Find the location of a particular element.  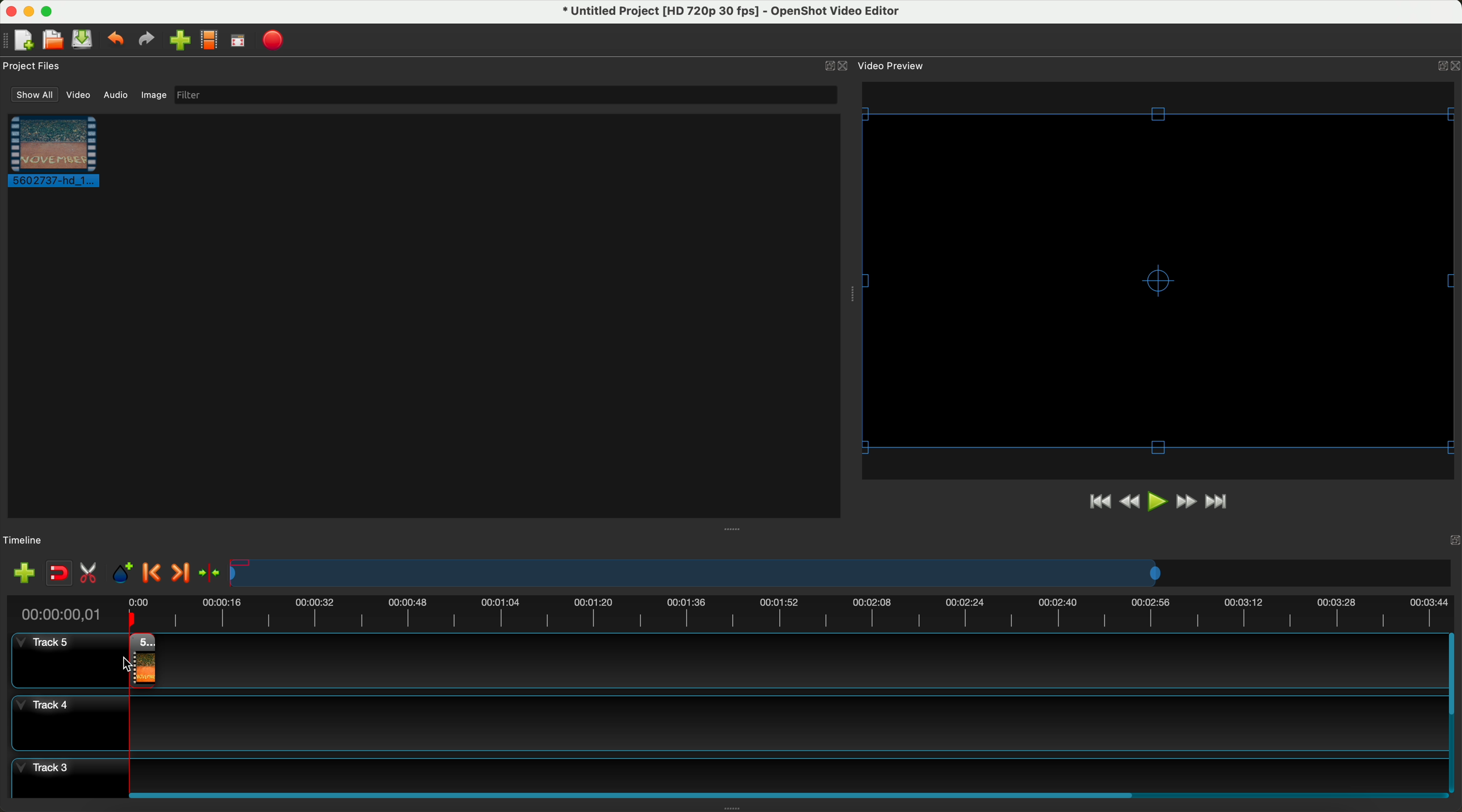

 is located at coordinates (734, 528).